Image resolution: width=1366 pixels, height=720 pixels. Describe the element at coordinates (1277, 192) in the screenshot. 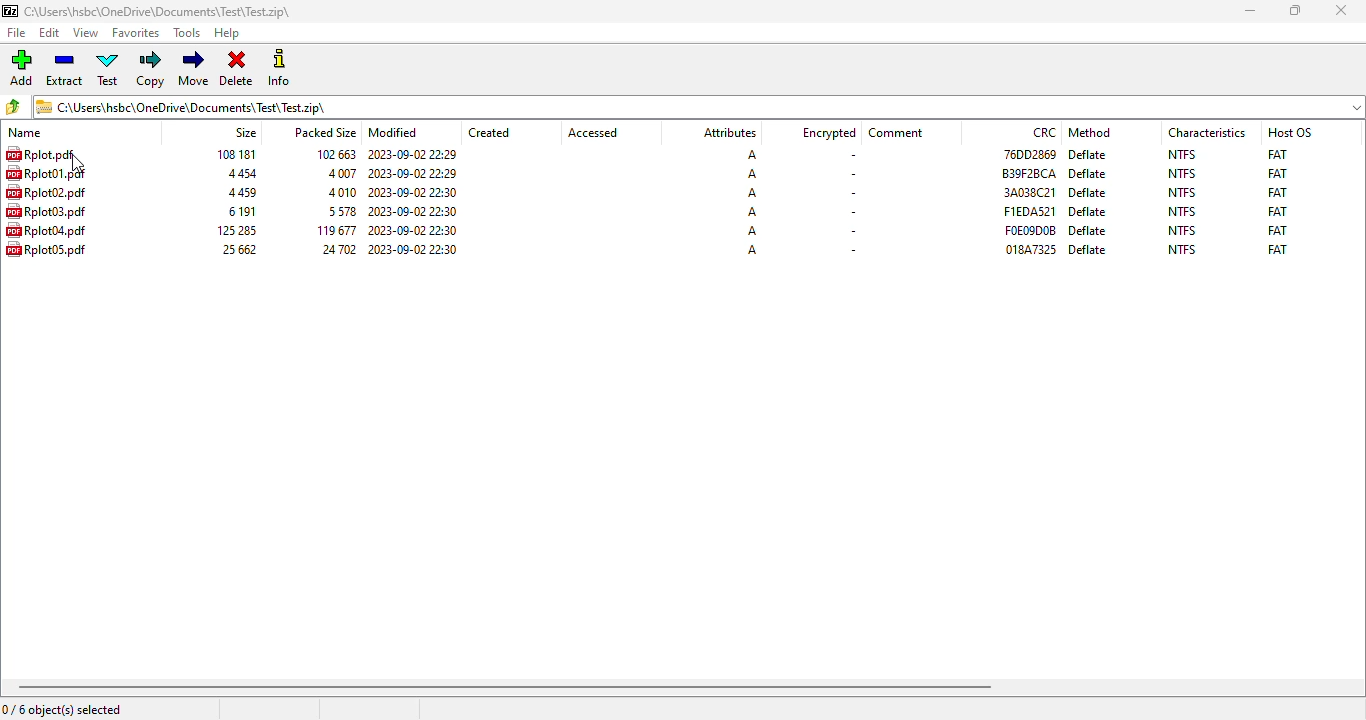

I see `FAT` at that location.